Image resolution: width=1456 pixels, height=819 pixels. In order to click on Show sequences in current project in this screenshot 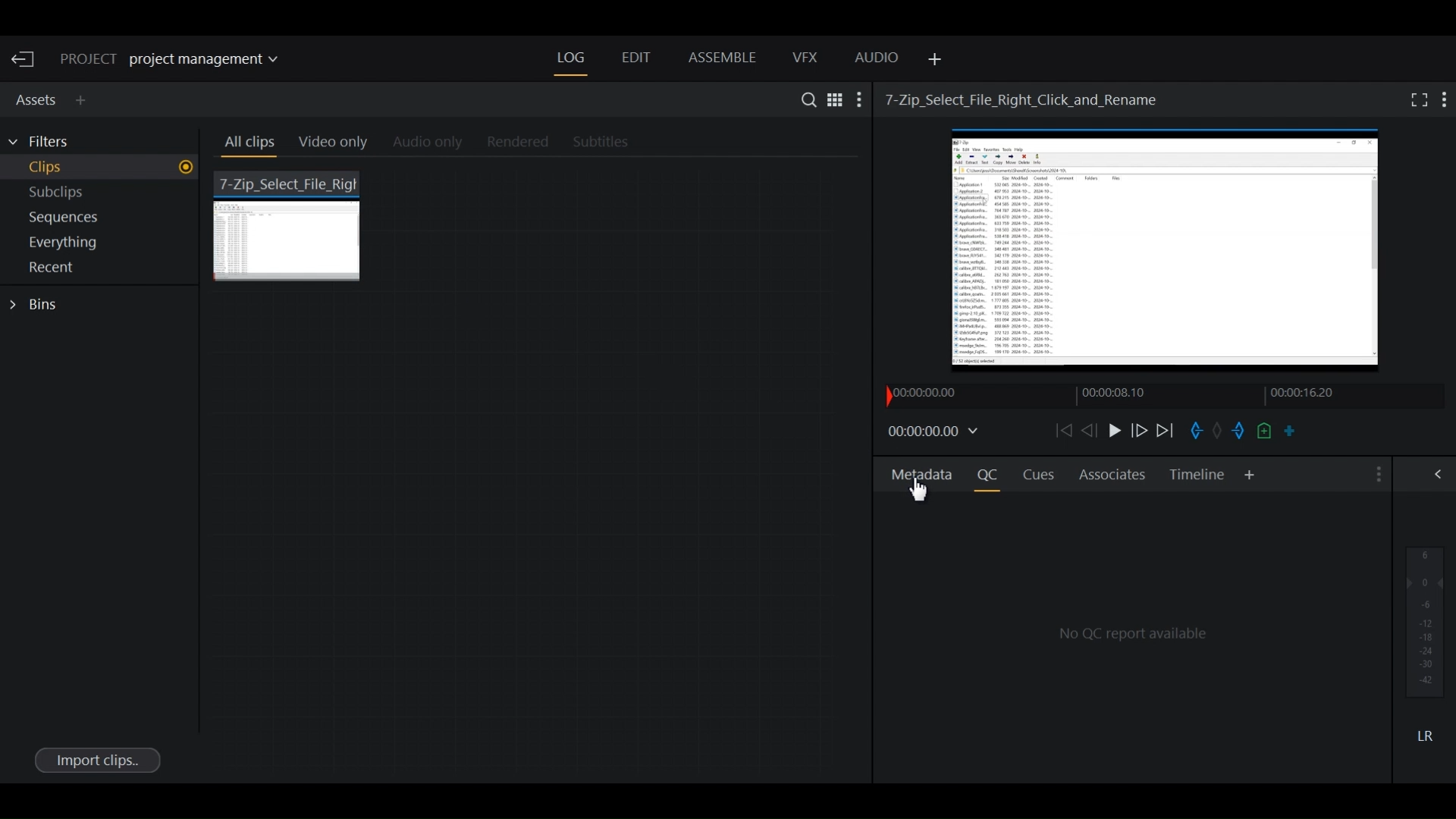, I will do `click(103, 219)`.